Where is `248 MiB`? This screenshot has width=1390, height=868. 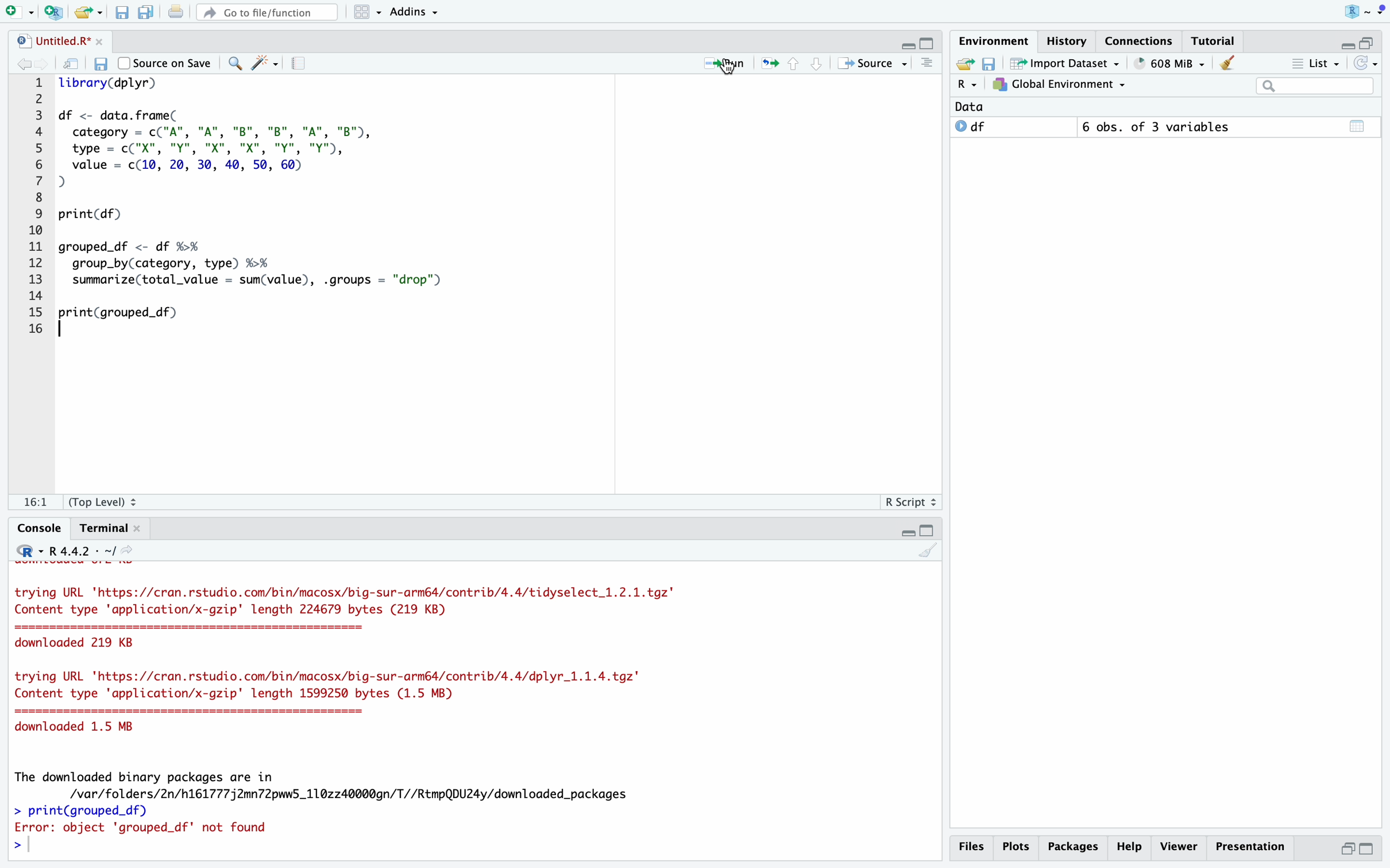
248 MiB is located at coordinates (1169, 63).